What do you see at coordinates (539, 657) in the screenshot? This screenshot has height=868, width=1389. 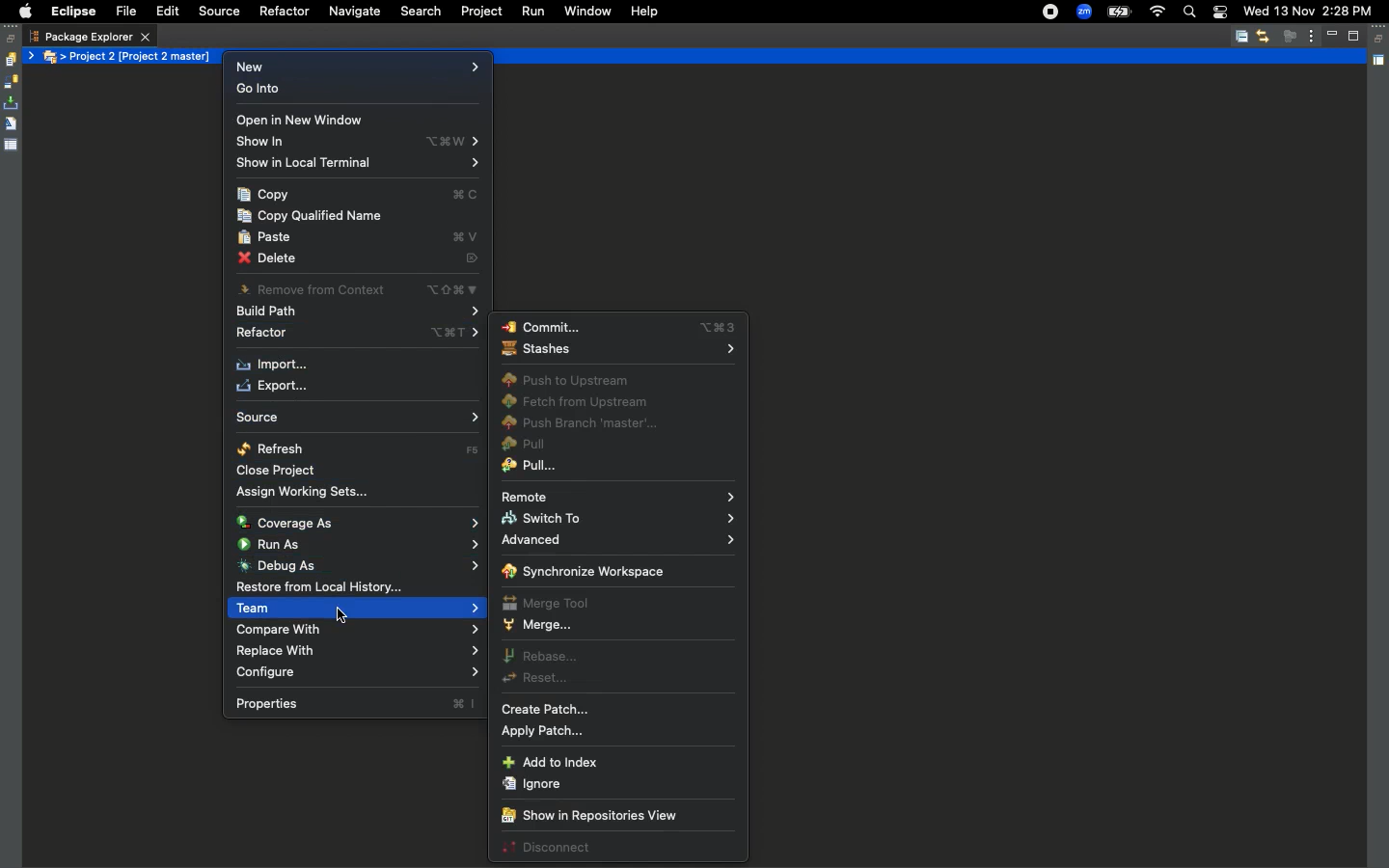 I see `Rebase` at bounding box center [539, 657].